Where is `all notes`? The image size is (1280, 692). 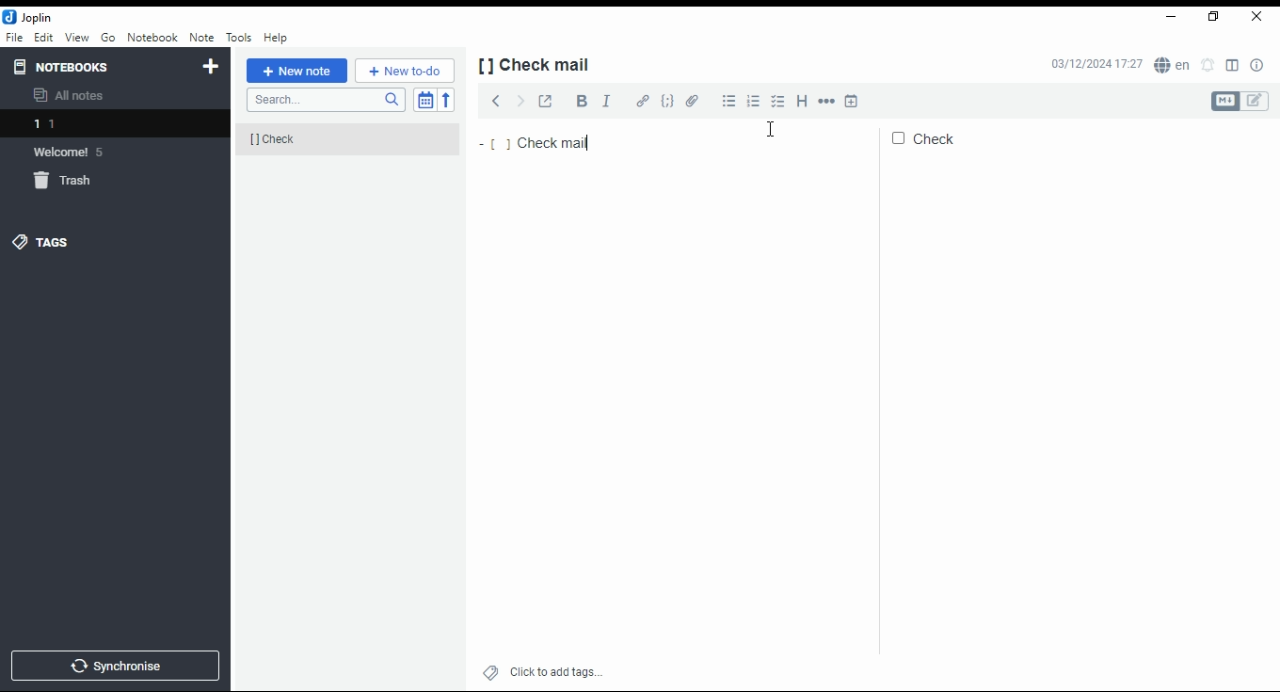 all notes is located at coordinates (71, 95).